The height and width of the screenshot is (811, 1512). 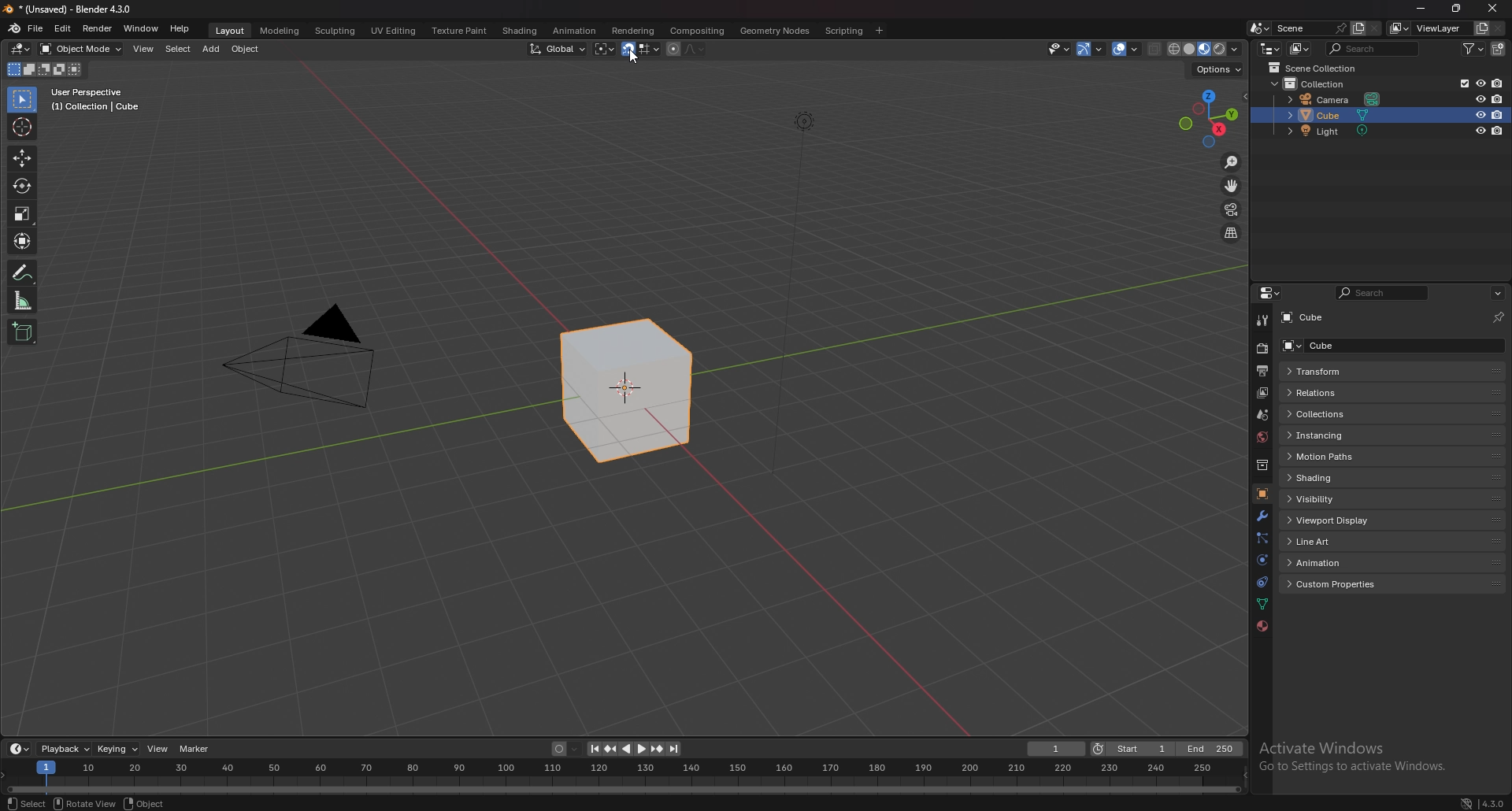 I want to click on scale, so click(x=23, y=213).